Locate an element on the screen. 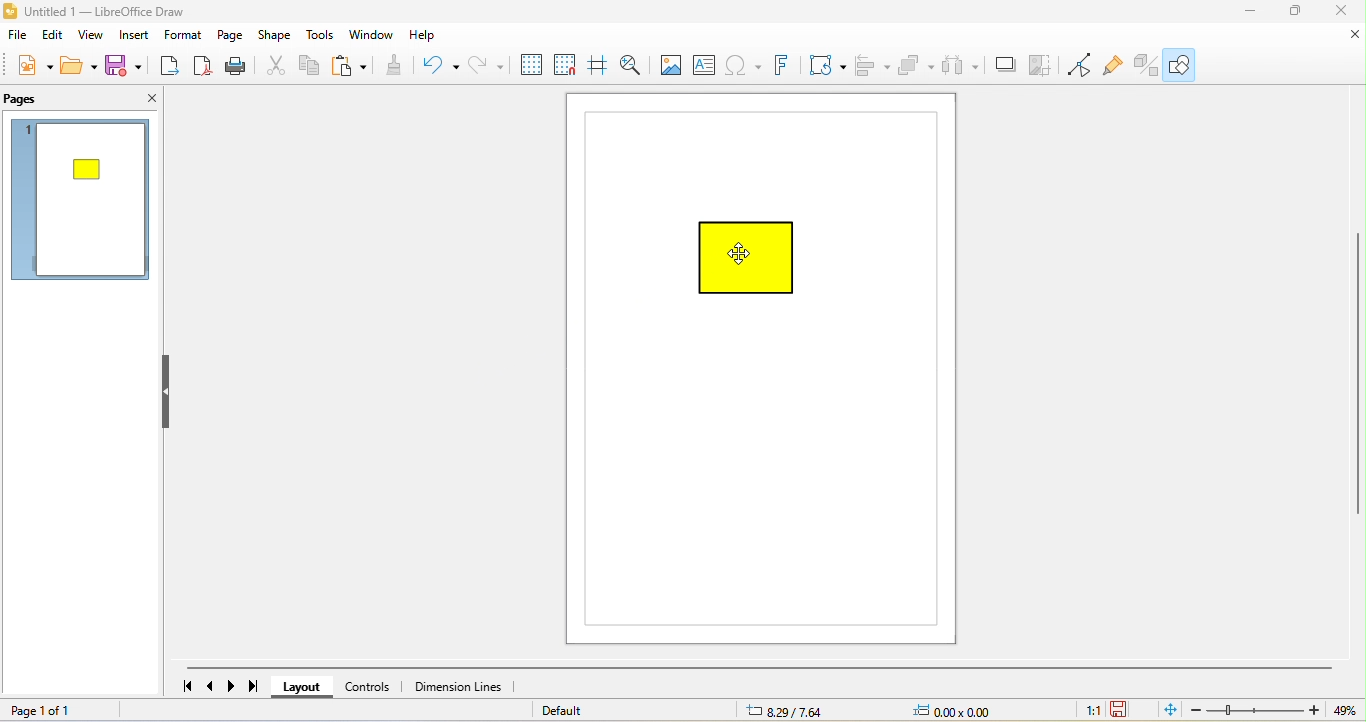 This screenshot has height=722, width=1366. copy is located at coordinates (315, 64).